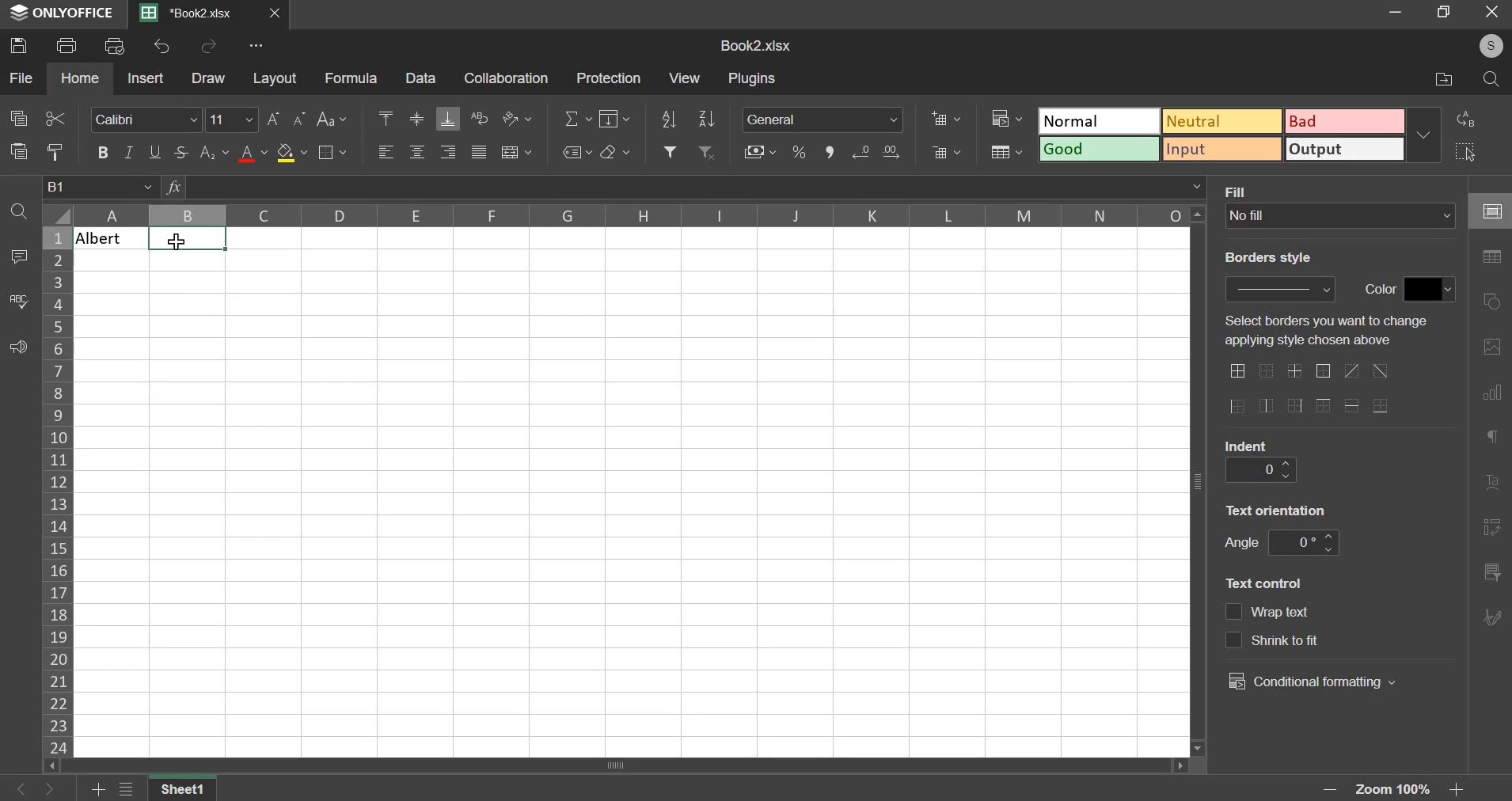 The image size is (1512, 801). I want to click on insert, so click(145, 78).